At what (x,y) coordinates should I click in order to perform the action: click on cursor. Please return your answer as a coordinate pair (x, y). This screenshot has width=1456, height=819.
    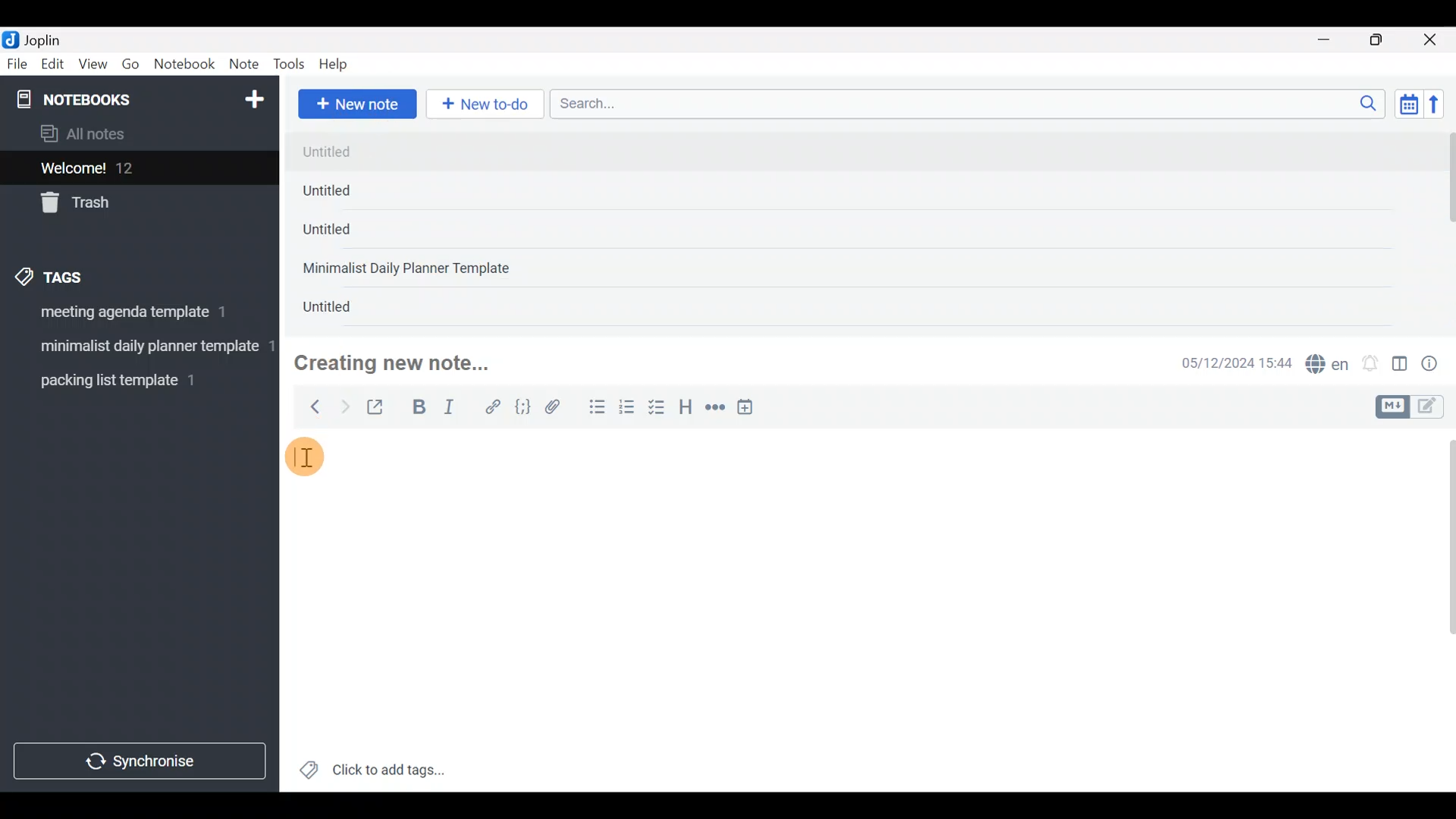
    Looking at the image, I should click on (303, 454).